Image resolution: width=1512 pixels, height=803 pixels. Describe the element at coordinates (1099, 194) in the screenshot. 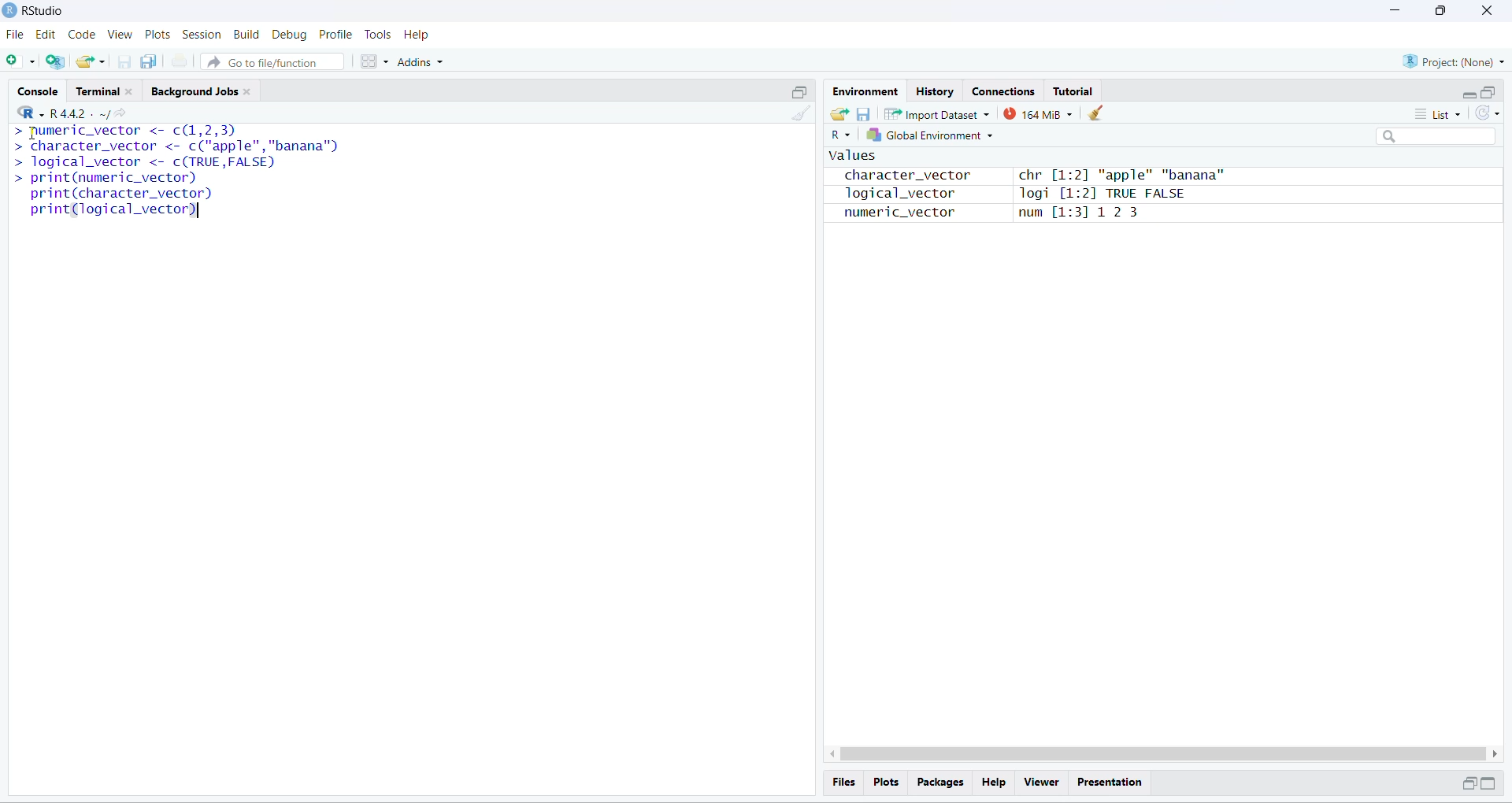

I see `logi [1:2] TRUE FALSE` at that location.